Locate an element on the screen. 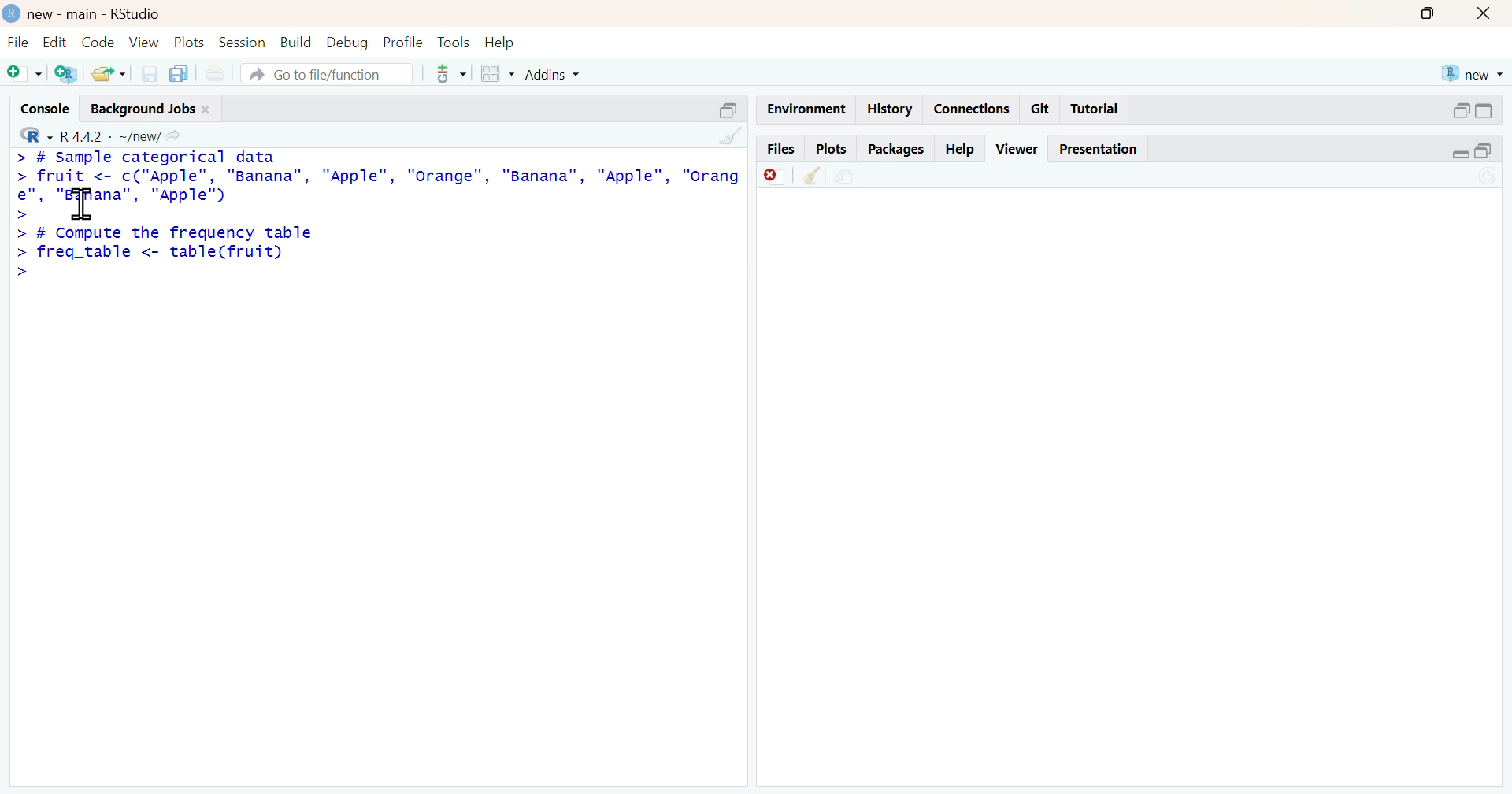 The width and height of the screenshot is (1512, 794). plots is located at coordinates (190, 43).